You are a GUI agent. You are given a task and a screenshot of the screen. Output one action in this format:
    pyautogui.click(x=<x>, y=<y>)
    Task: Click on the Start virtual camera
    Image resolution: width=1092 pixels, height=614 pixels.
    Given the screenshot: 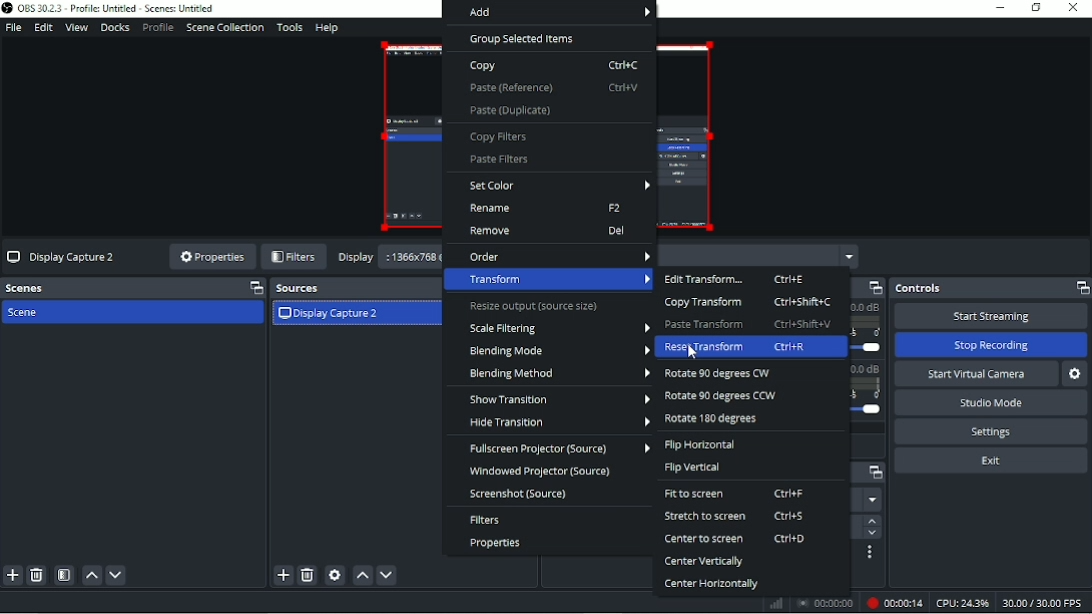 What is the action you would take?
    pyautogui.click(x=977, y=374)
    